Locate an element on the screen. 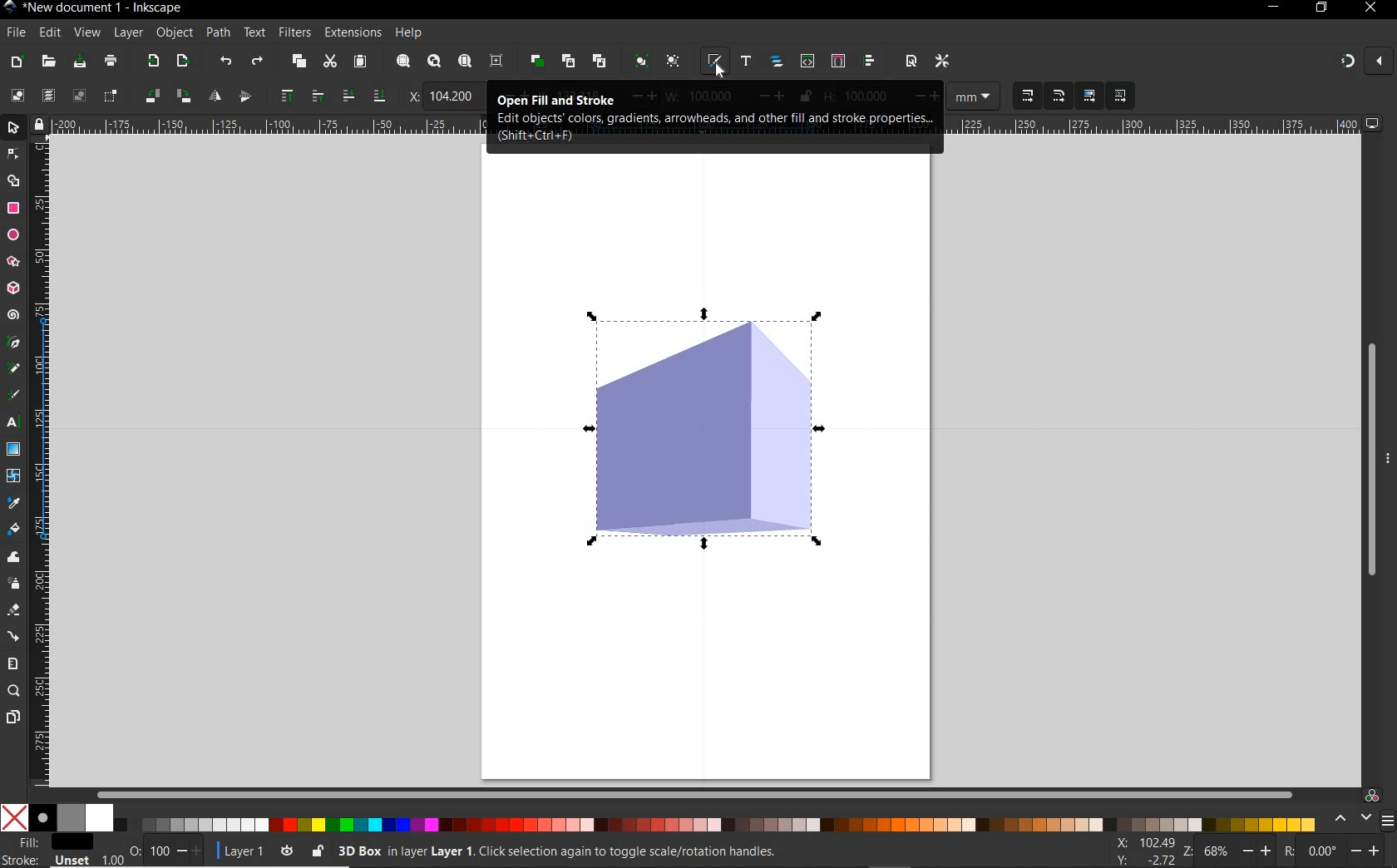 Image resolution: width=1397 pixels, height=868 pixels. SHAPE BUILDER TOOL is located at coordinates (12, 181).